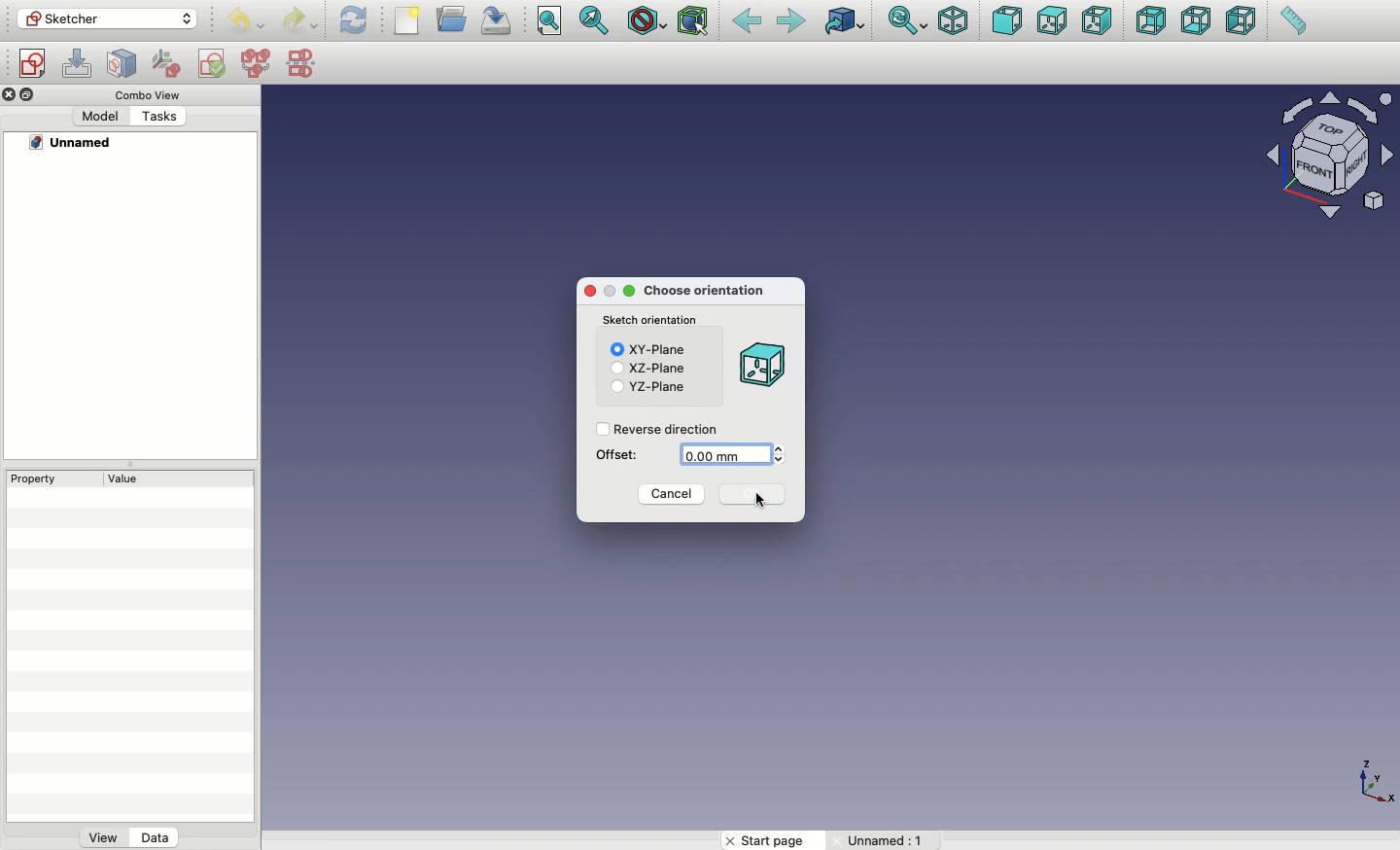 The image size is (1400, 850). Describe the element at coordinates (409, 20) in the screenshot. I see `New` at that location.